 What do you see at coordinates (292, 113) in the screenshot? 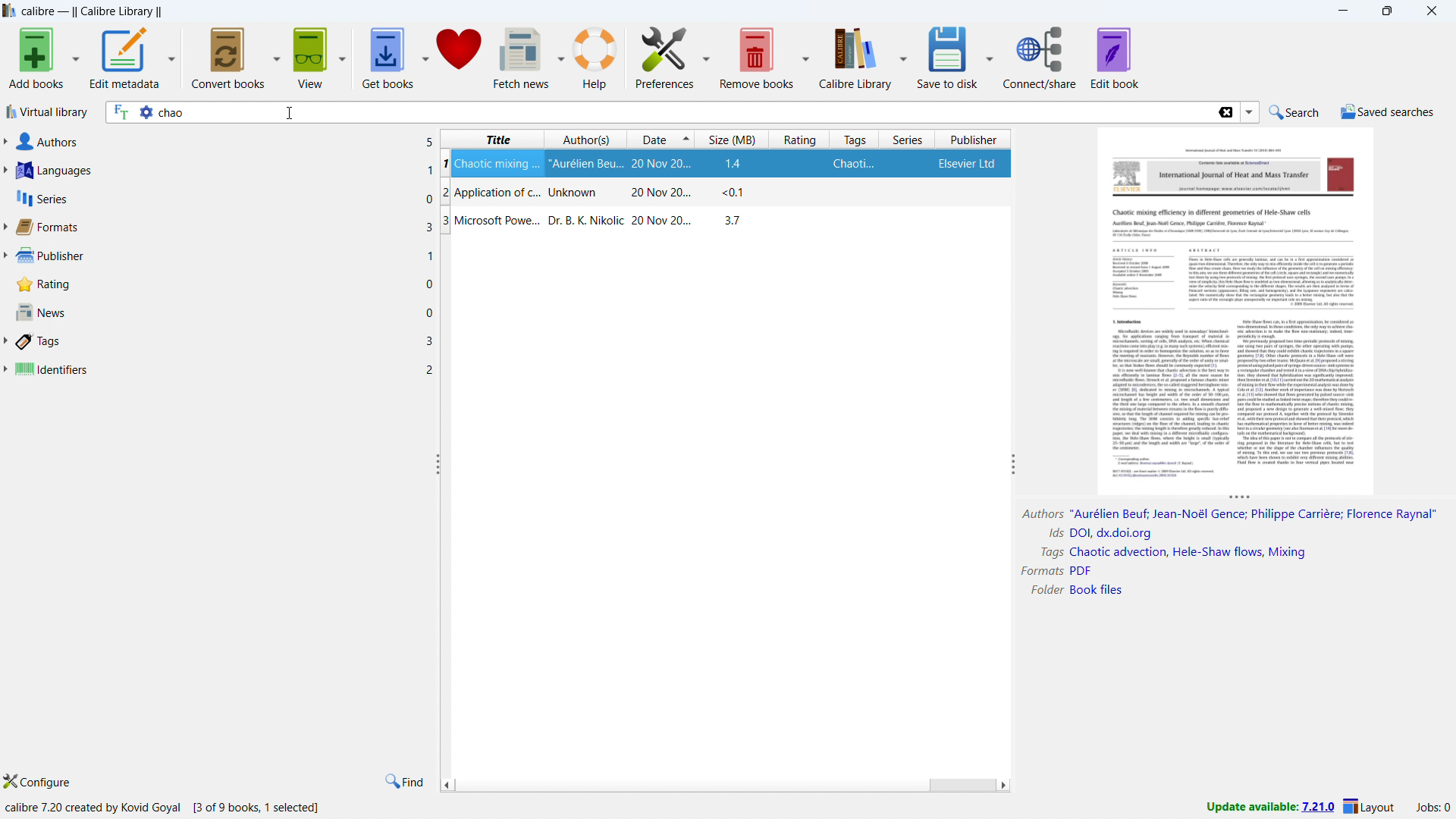
I see `cursor` at bounding box center [292, 113].